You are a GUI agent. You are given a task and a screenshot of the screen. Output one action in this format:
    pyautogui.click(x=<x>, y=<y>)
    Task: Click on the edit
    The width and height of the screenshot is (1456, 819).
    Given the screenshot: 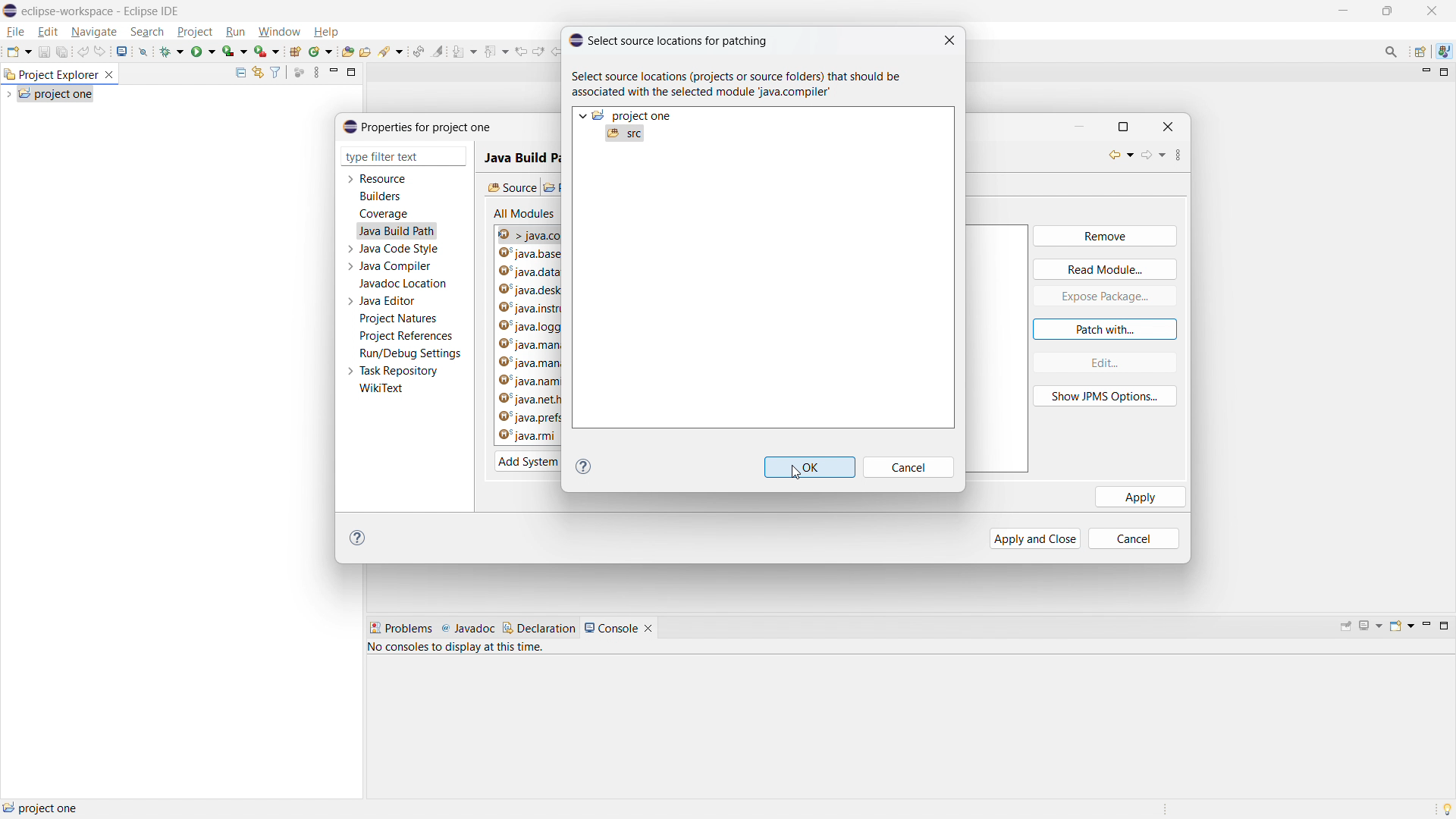 What is the action you would take?
    pyautogui.click(x=1103, y=362)
    